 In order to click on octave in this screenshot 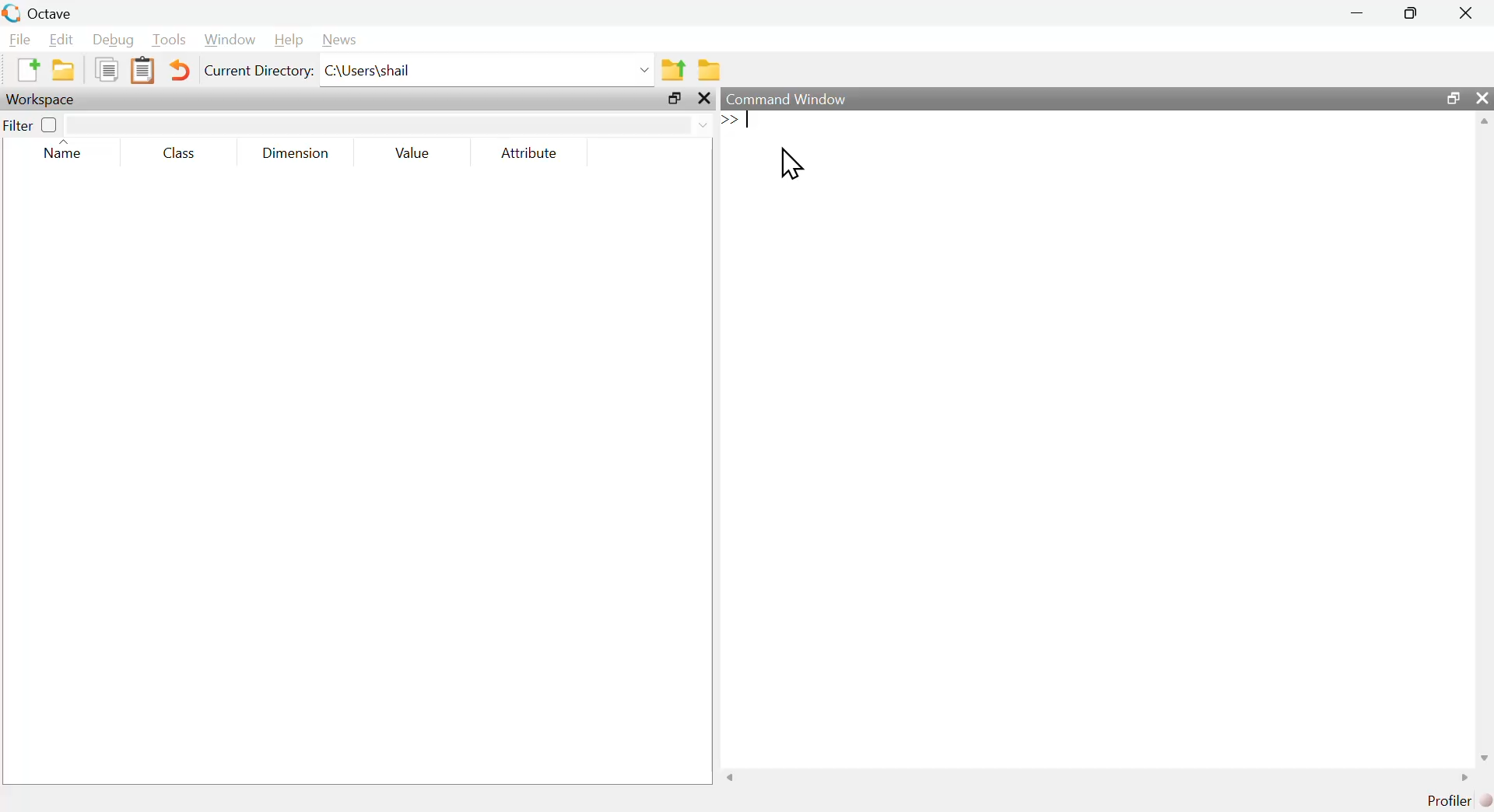, I will do `click(54, 11)`.